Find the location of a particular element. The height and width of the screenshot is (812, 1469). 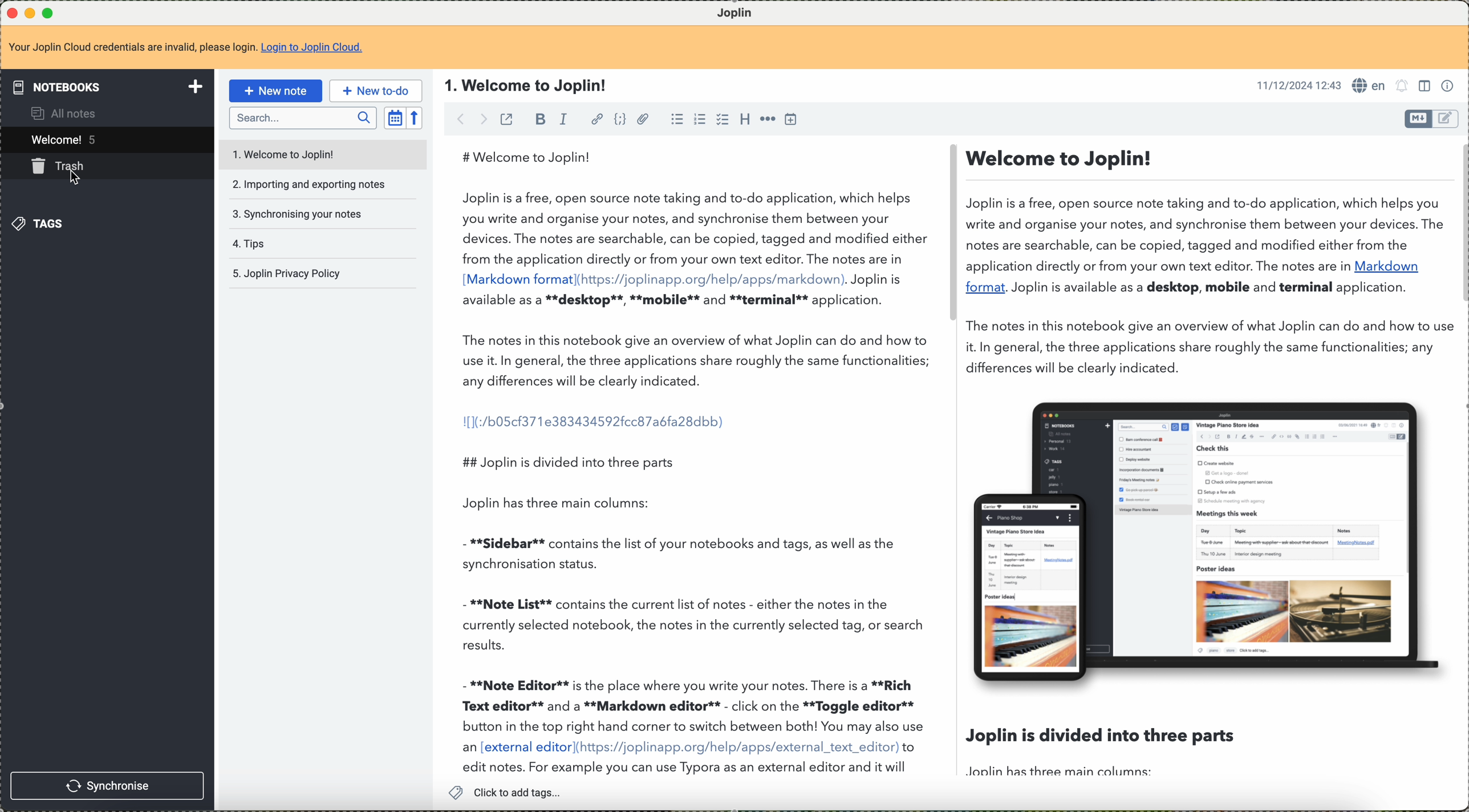

welcome is located at coordinates (68, 140).